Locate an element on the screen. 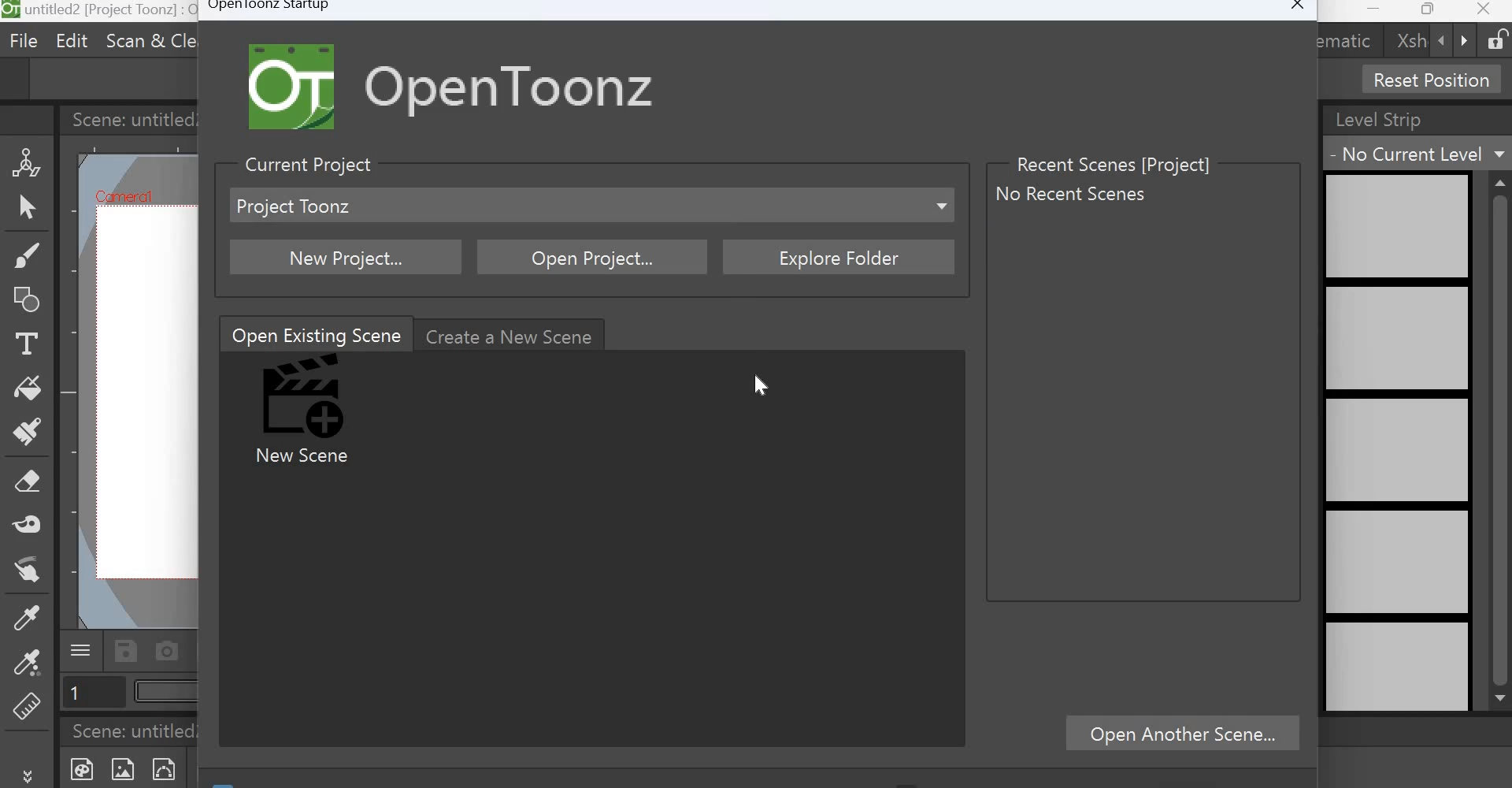 The image size is (1512, 788). Open Project is located at coordinates (595, 257).